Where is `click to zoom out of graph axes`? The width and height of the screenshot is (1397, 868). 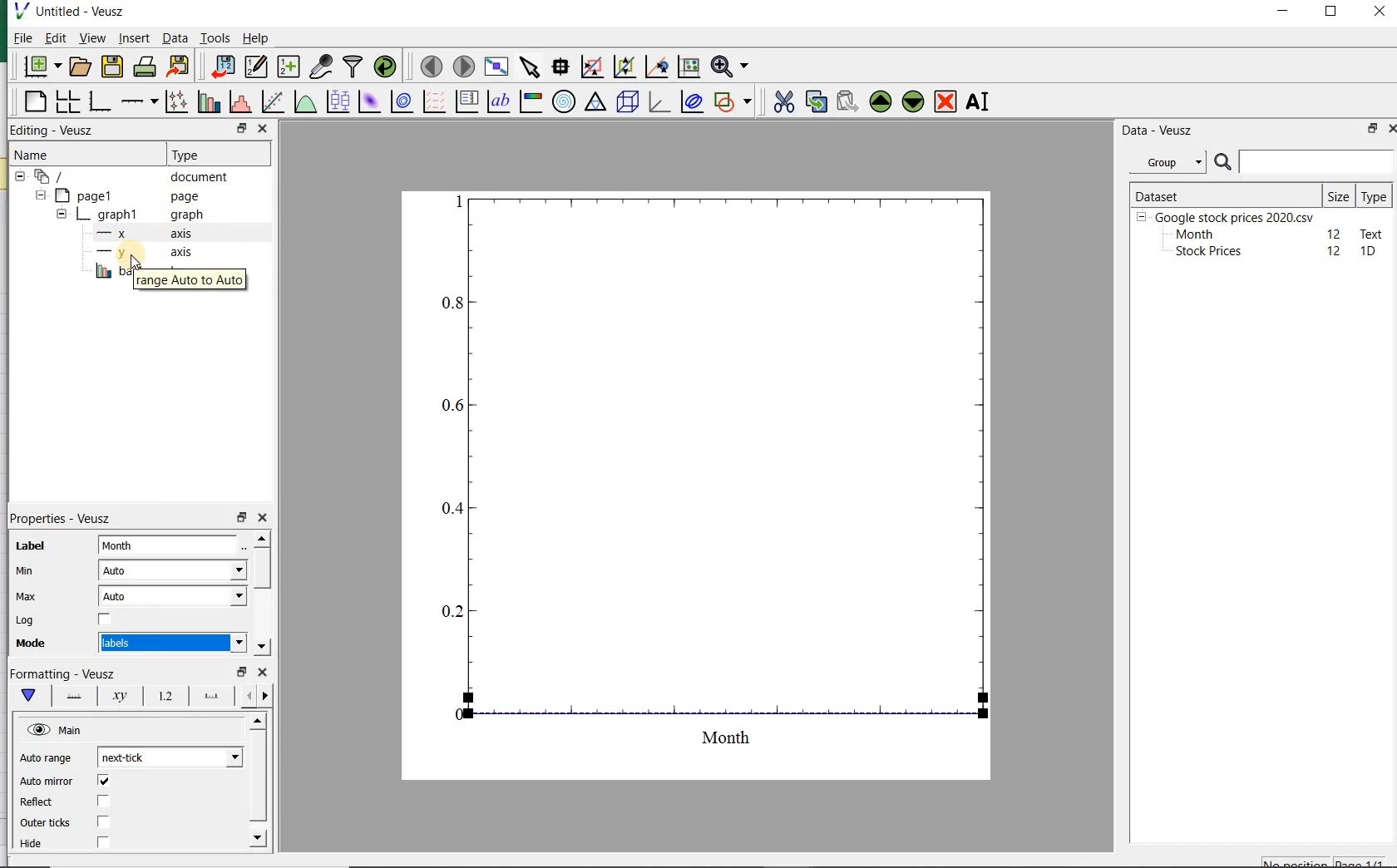
click to zoom out of graph axes is located at coordinates (623, 65).